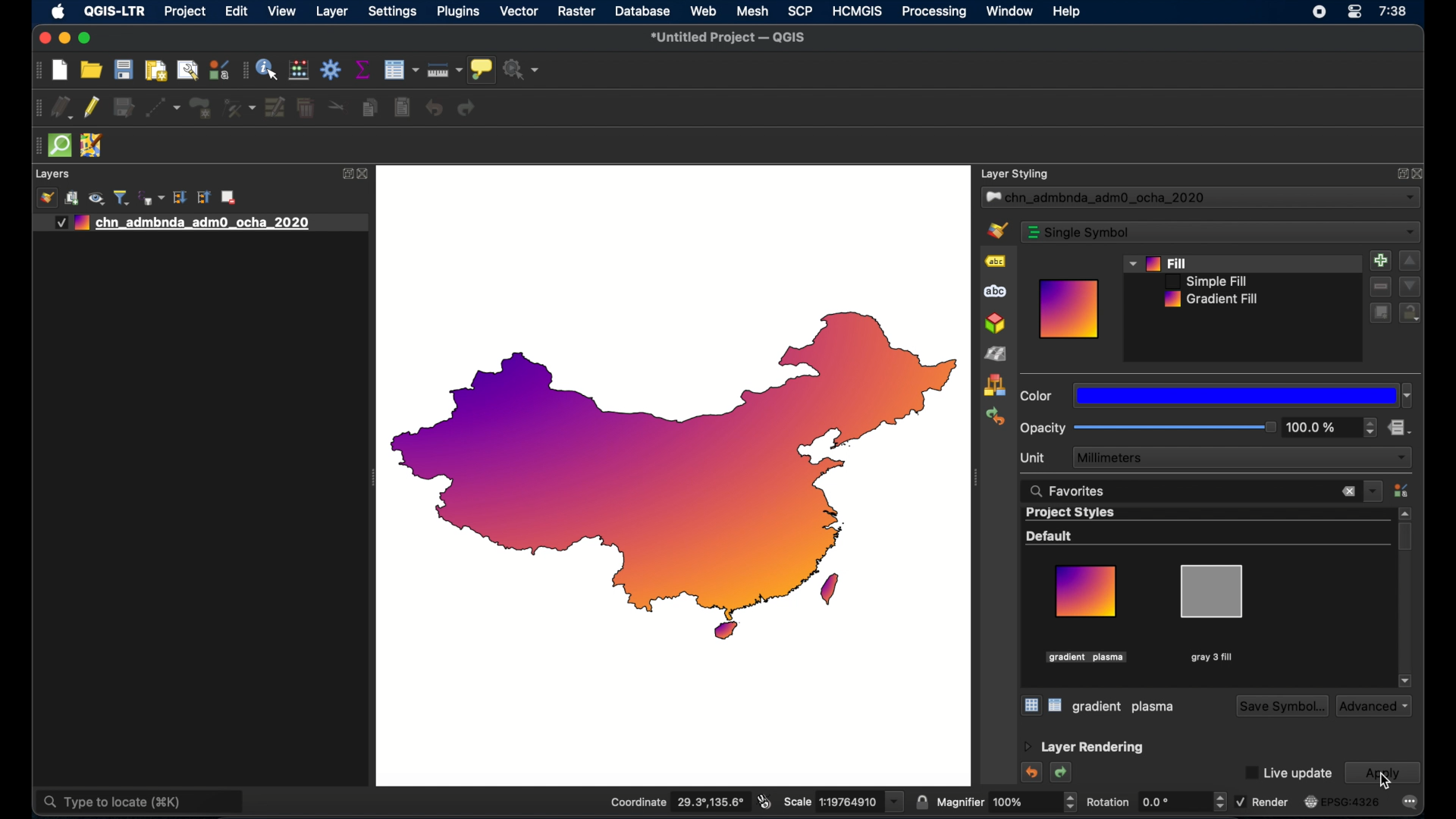  I want to click on drag handle, so click(35, 146).